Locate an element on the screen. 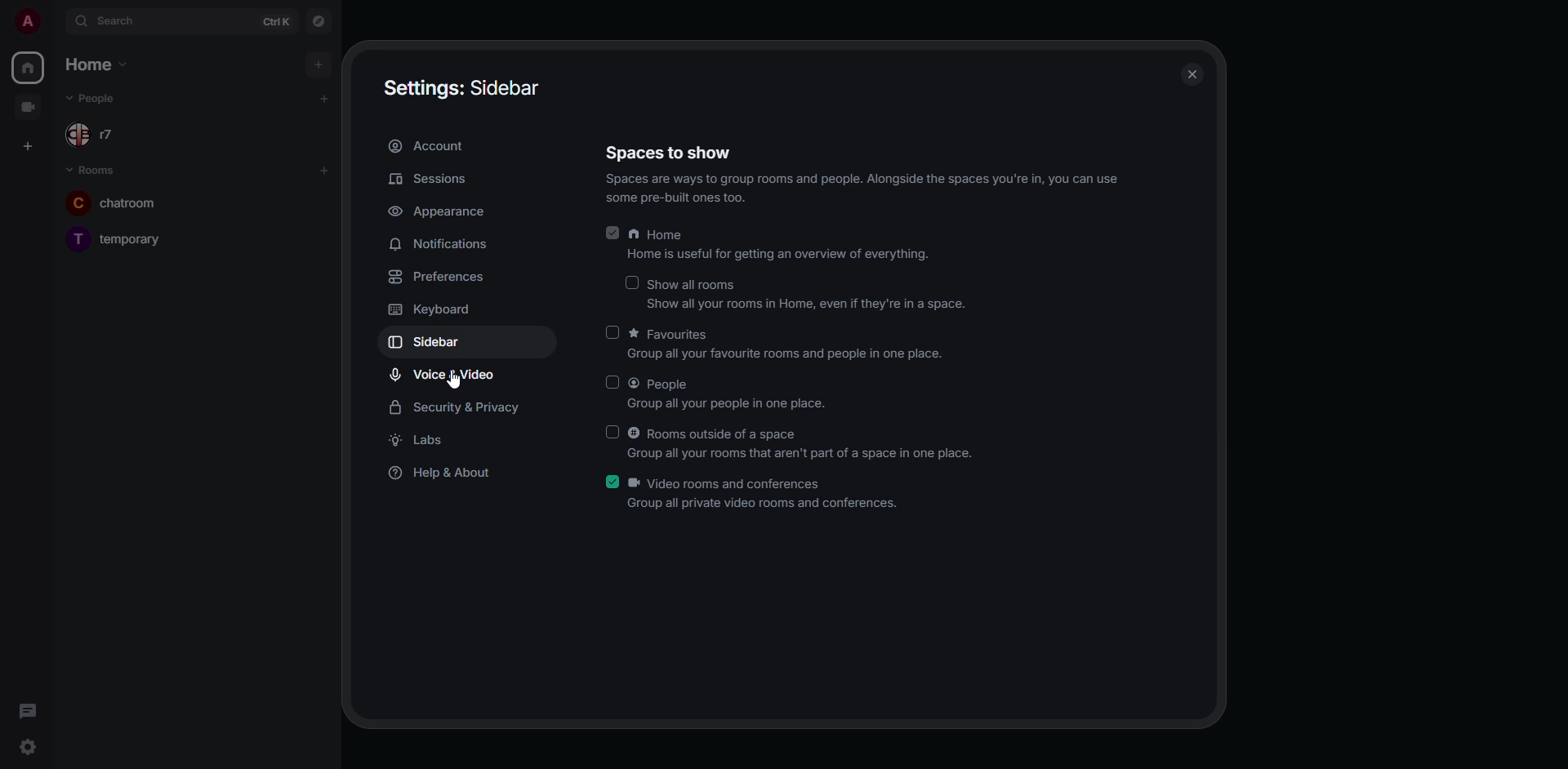  notifications is located at coordinates (442, 244).